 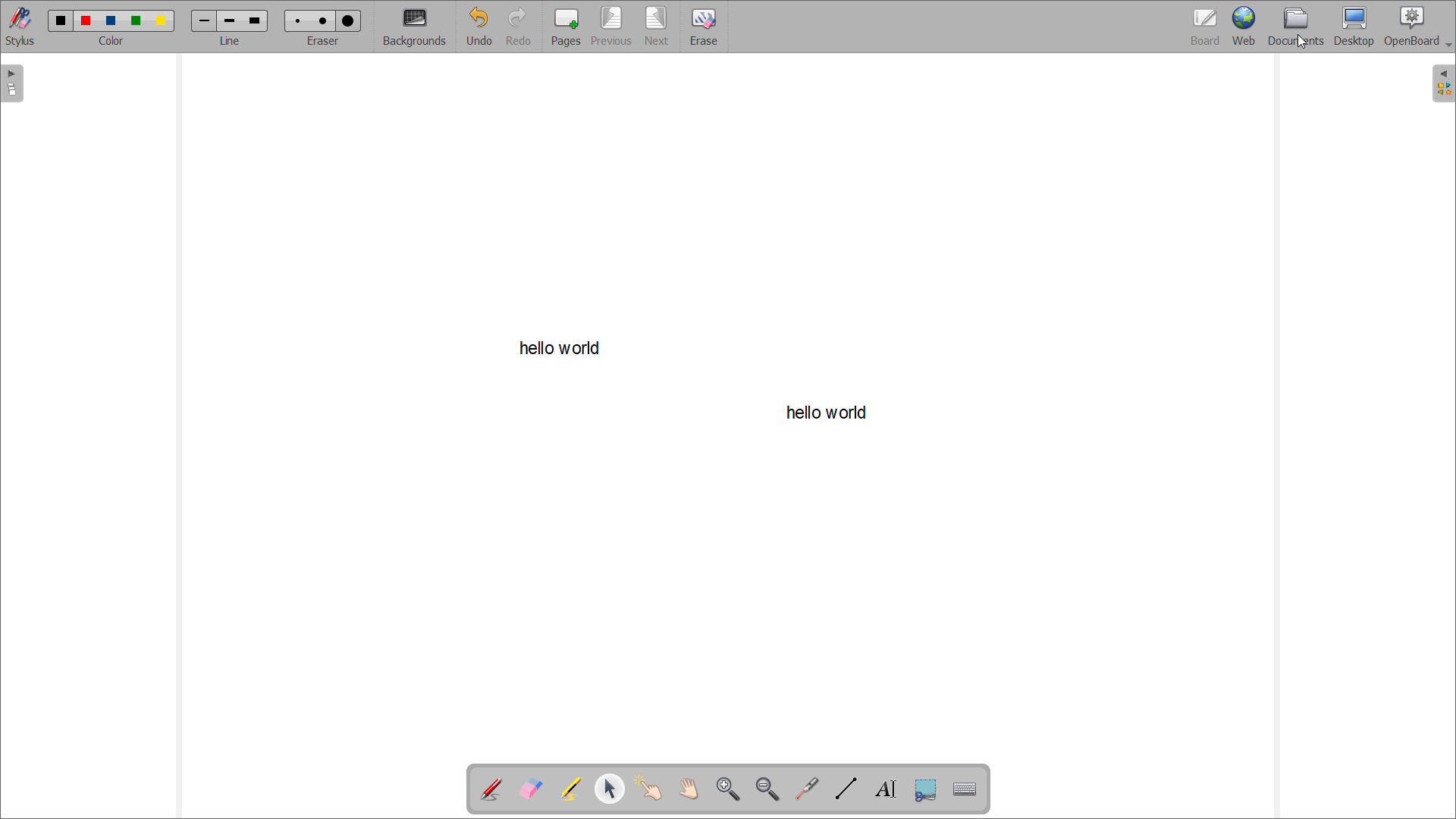 What do you see at coordinates (846, 788) in the screenshot?
I see `draw lines` at bounding box center [846, 788].